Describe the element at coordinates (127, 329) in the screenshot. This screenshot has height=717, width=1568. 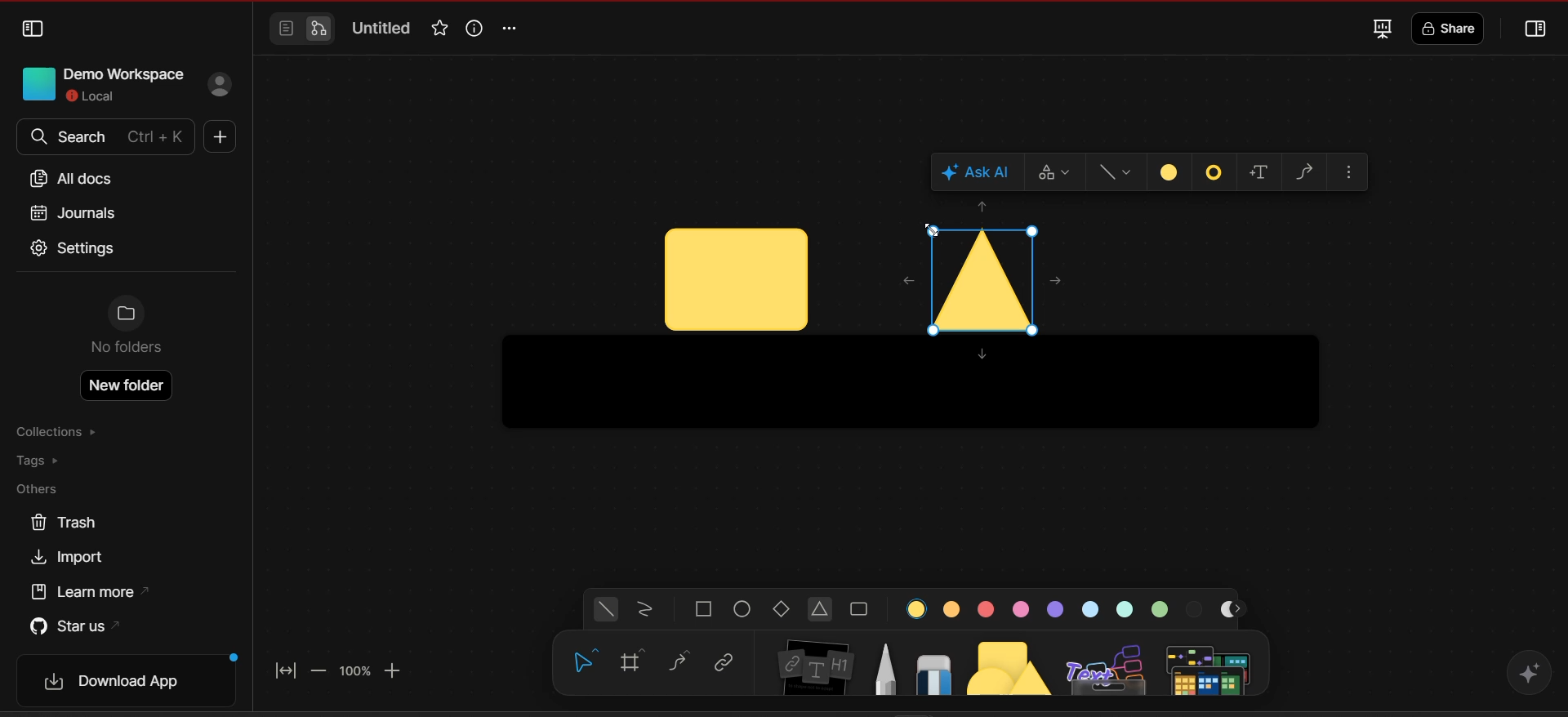
I see `No folder` at that location.